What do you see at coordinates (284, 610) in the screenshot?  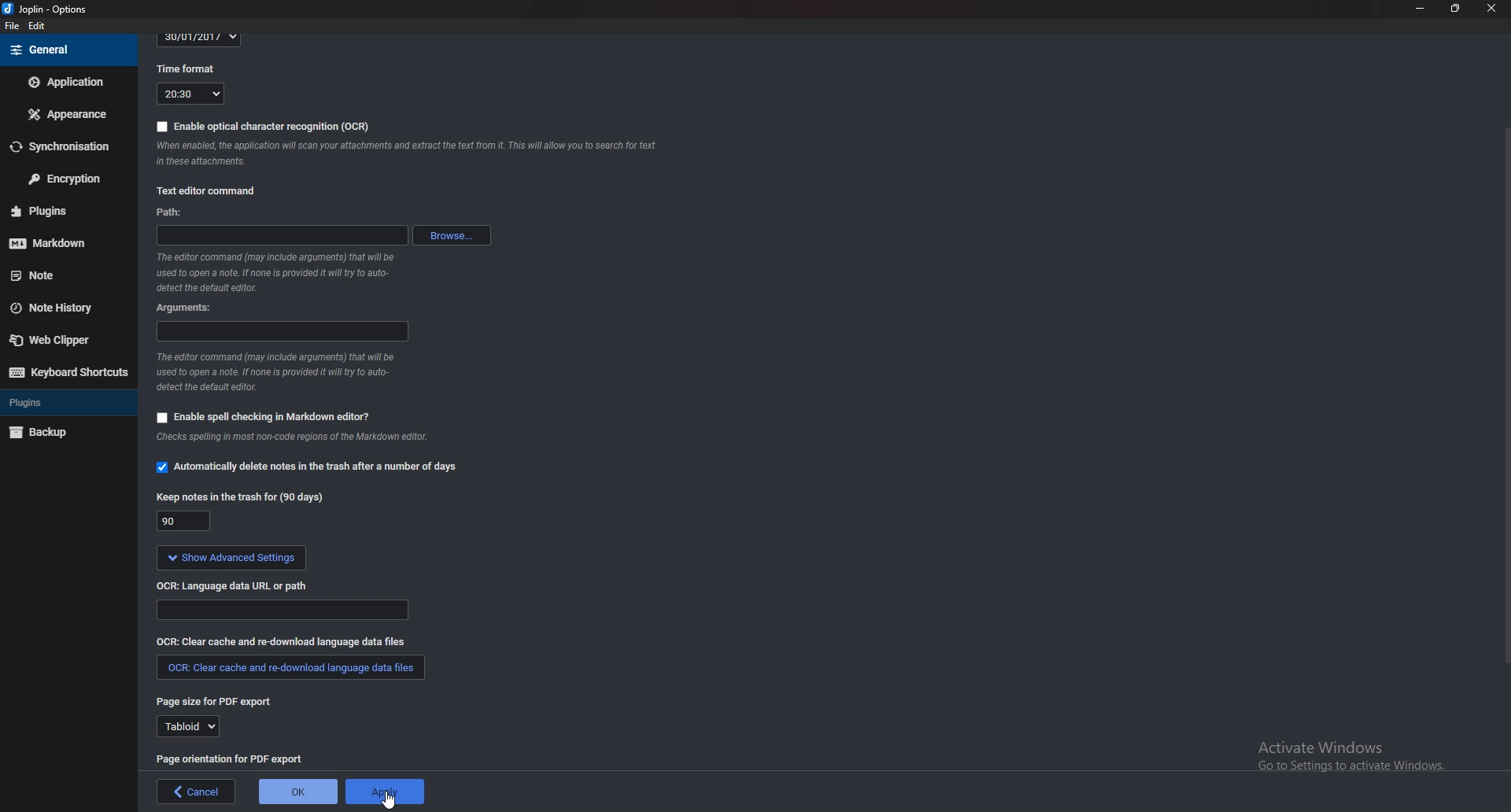 I see `Language data` at bounding box center [284, 610].